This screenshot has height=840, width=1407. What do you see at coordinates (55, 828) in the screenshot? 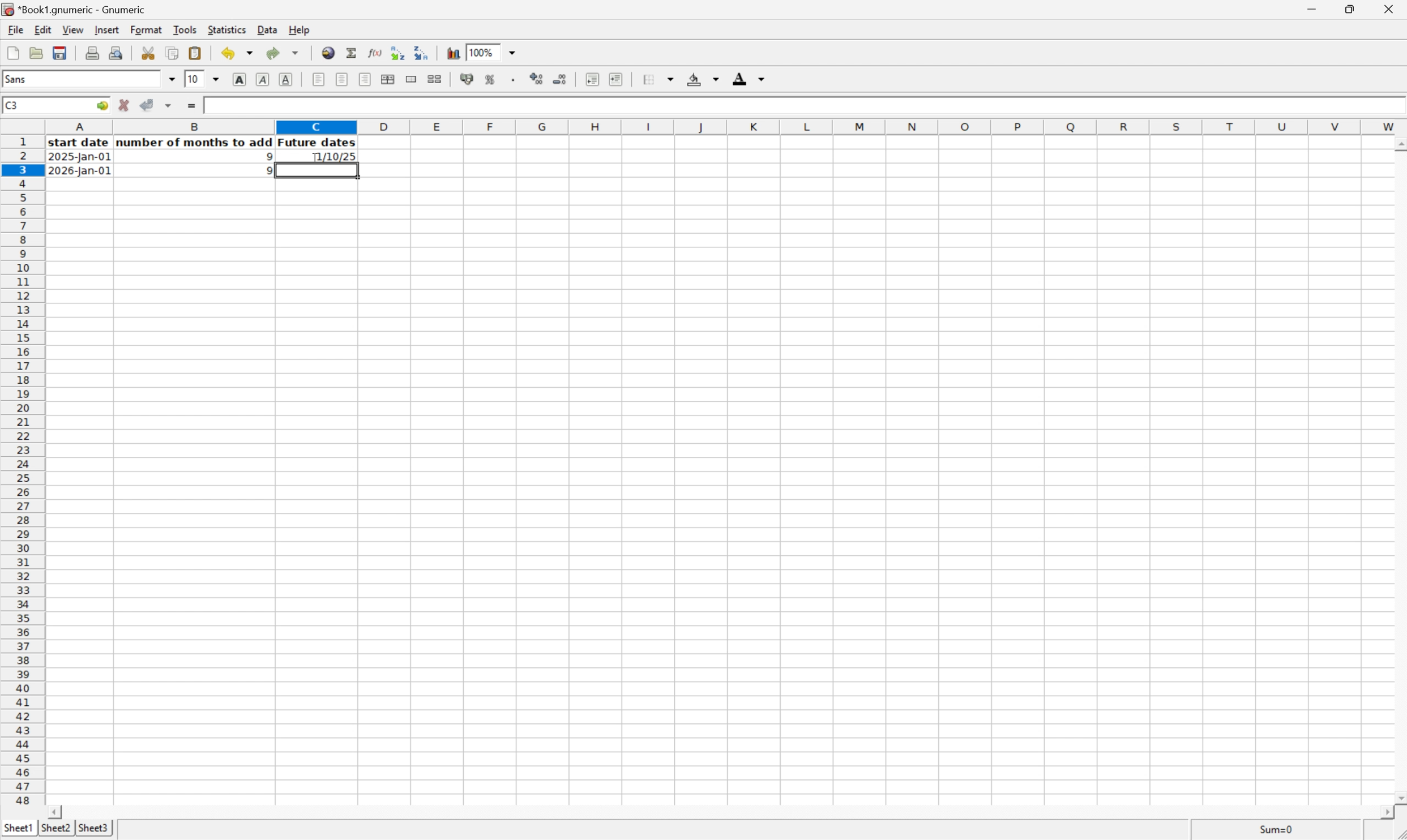
I see `Sheet2` at bounding box center [55, 828].